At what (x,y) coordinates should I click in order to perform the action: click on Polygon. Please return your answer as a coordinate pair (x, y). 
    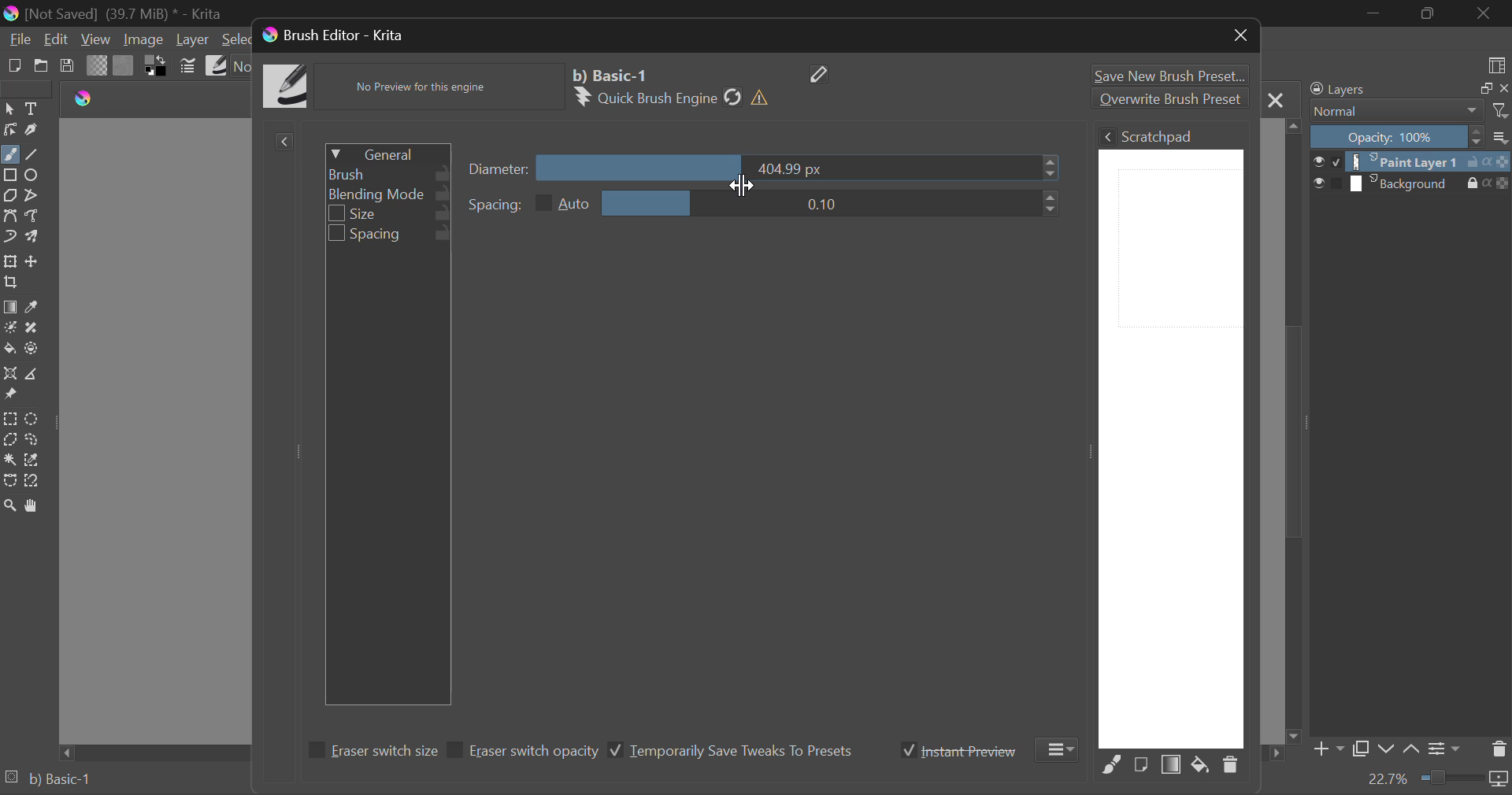
    Looking at the image, I should click on (11, 196).